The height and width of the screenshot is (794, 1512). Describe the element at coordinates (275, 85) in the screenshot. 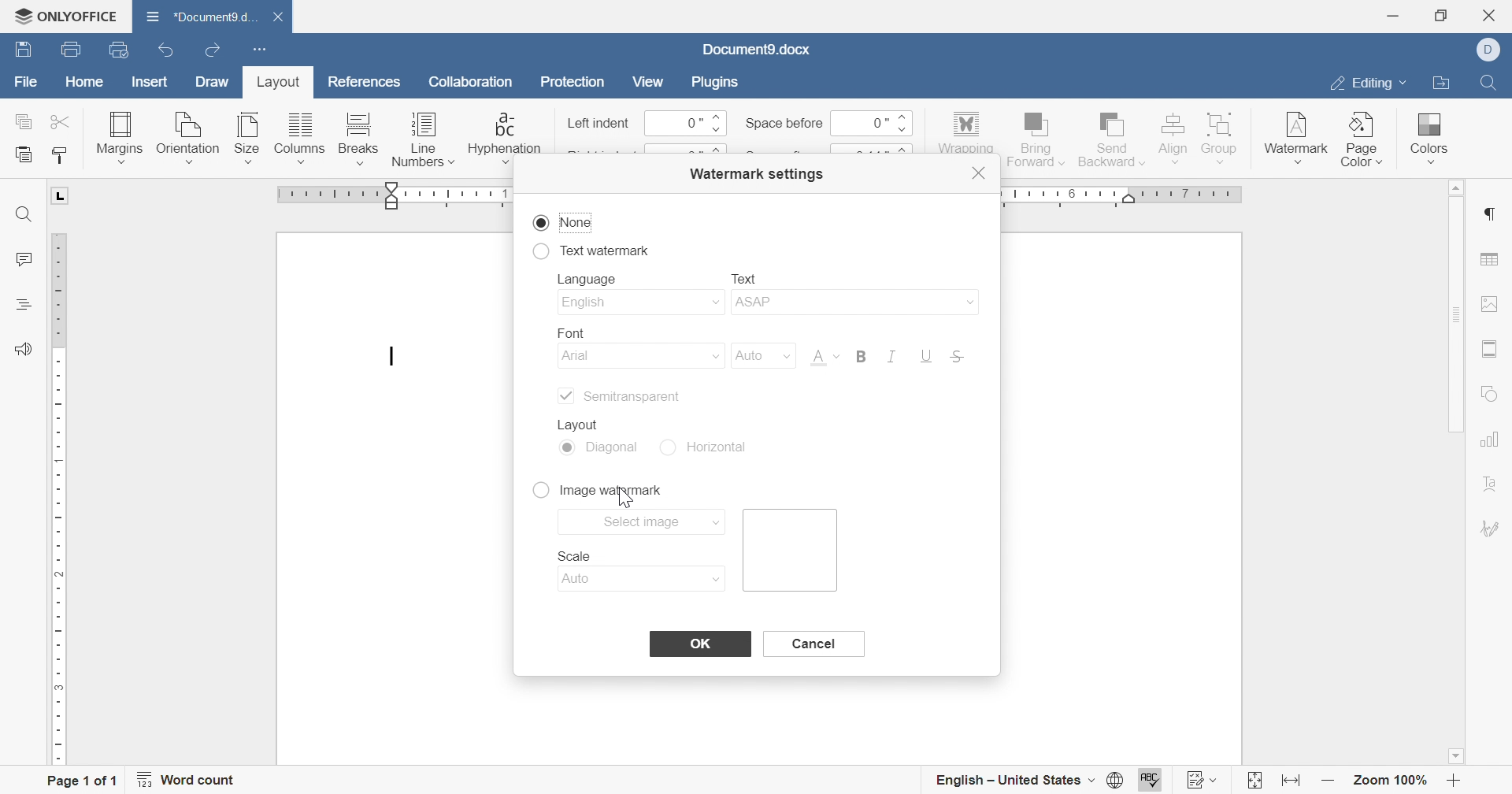

I see `layout` at that location.